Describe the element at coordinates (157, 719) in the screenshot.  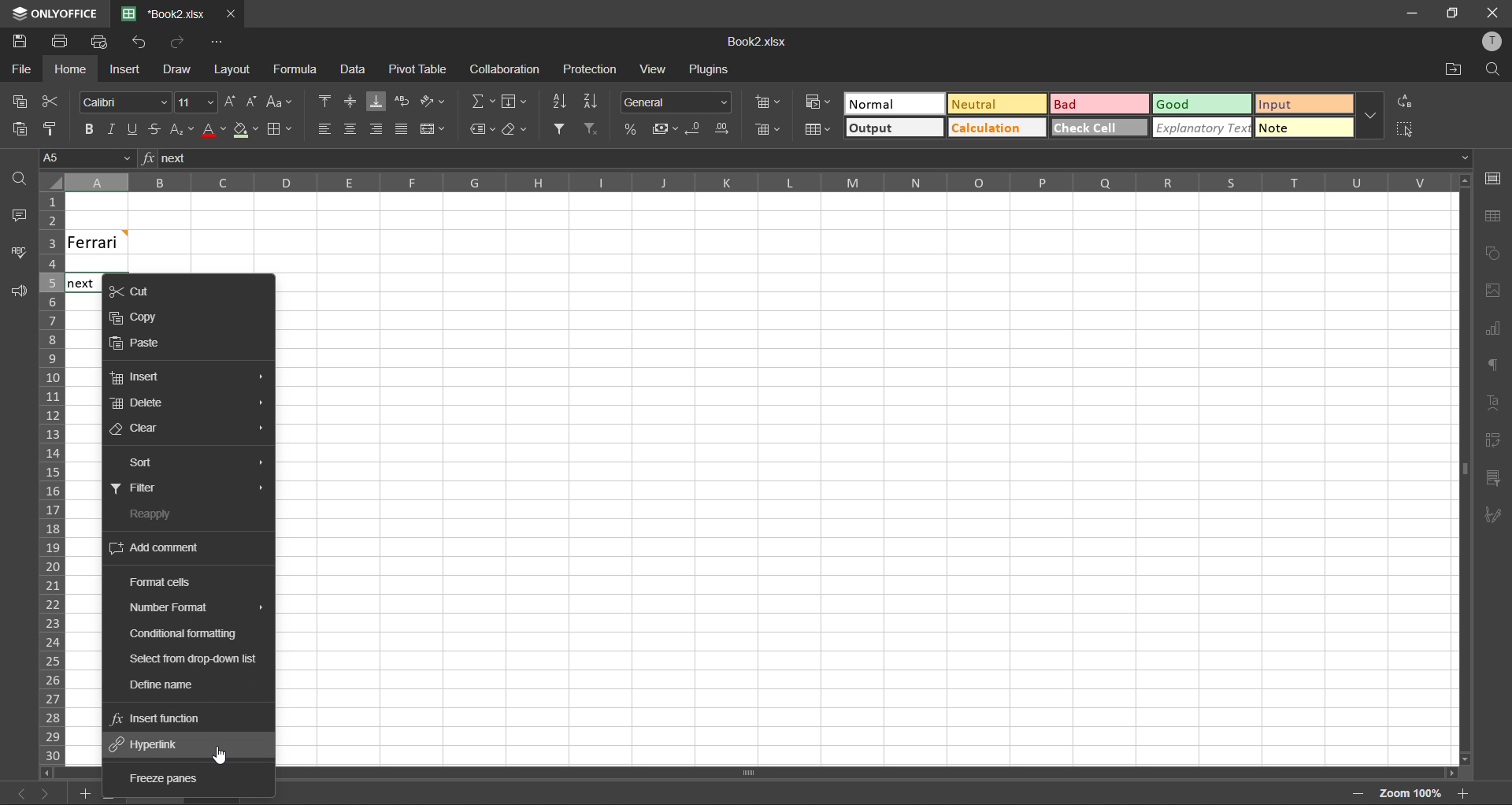
I see `insert function` at that location.